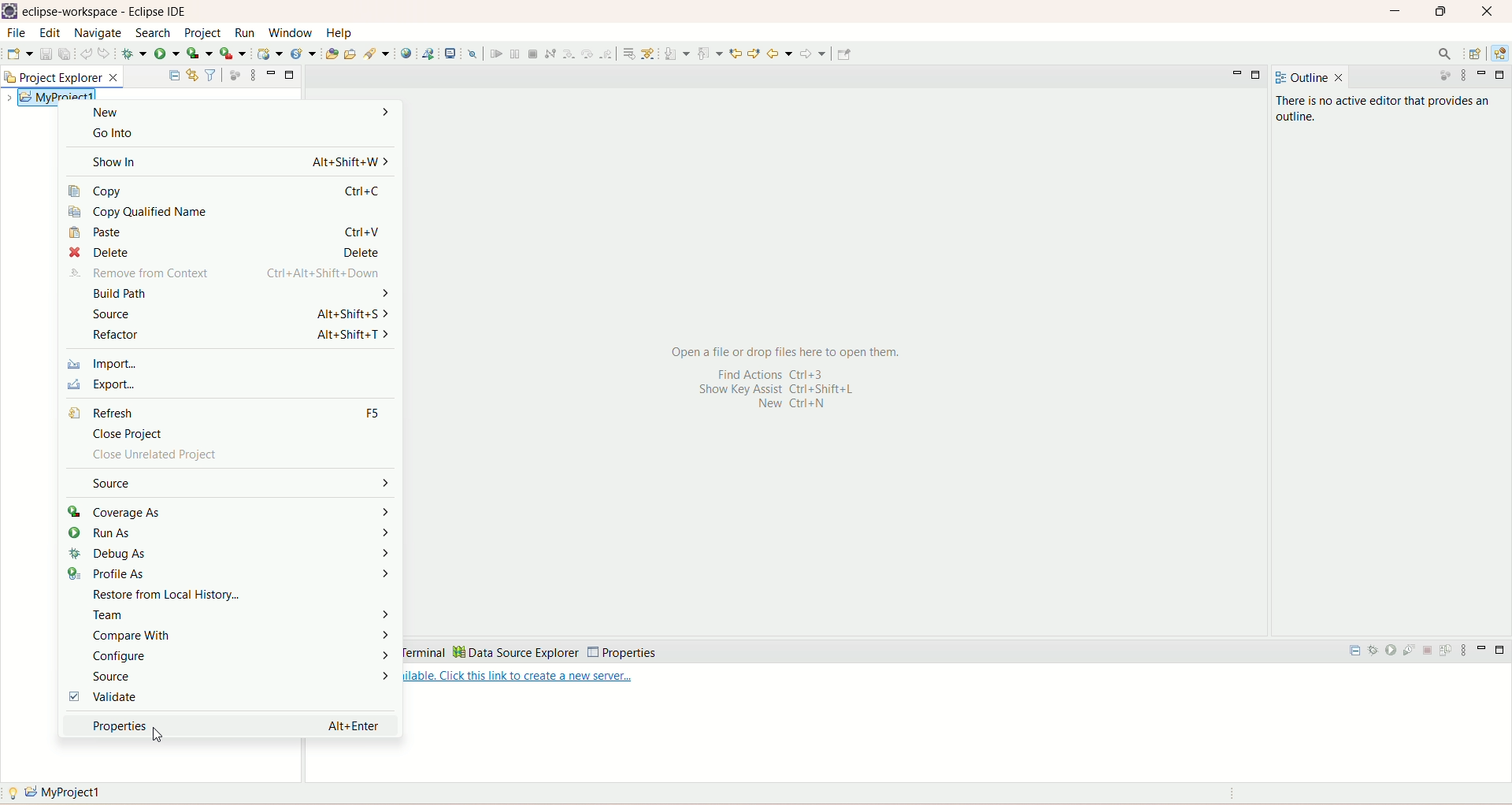 The width and height of the screenshot is (1512, 805). I want to click on step into, so click(569, 55).